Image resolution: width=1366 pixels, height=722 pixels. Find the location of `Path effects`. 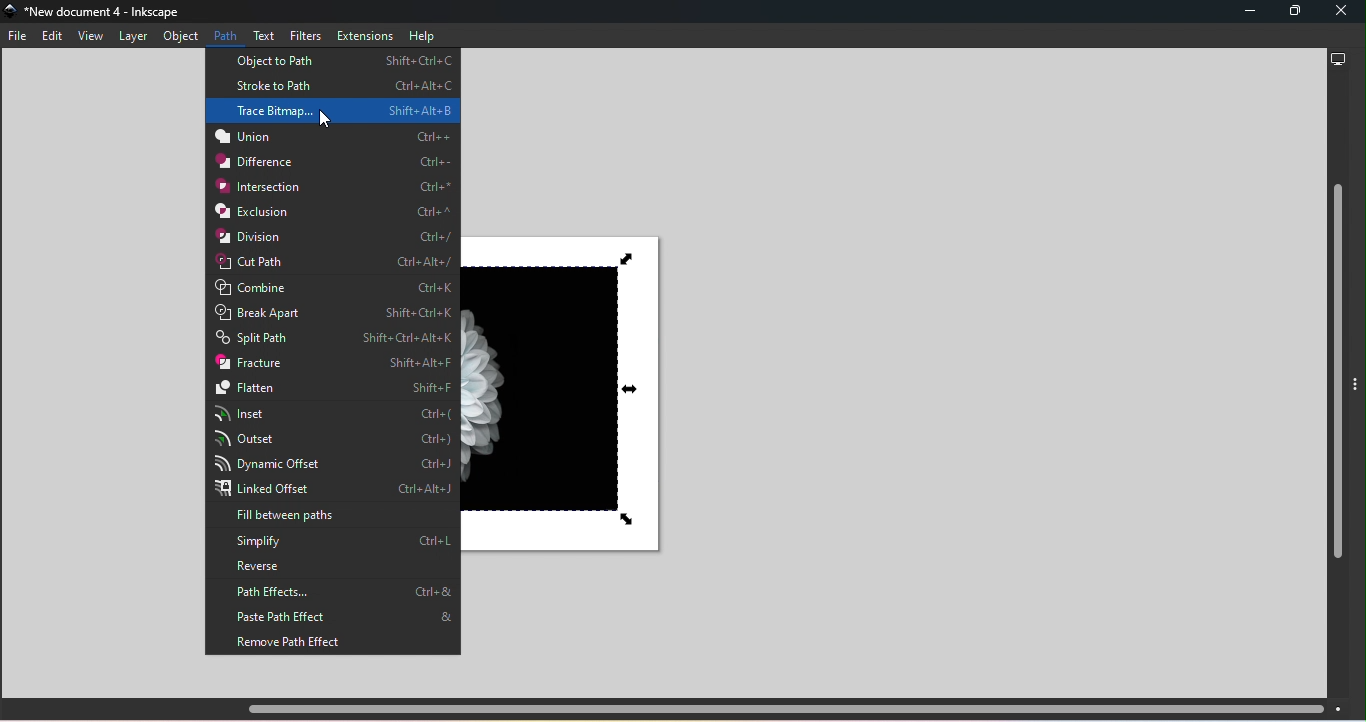

Path effects is located at coordinates (342, 591).